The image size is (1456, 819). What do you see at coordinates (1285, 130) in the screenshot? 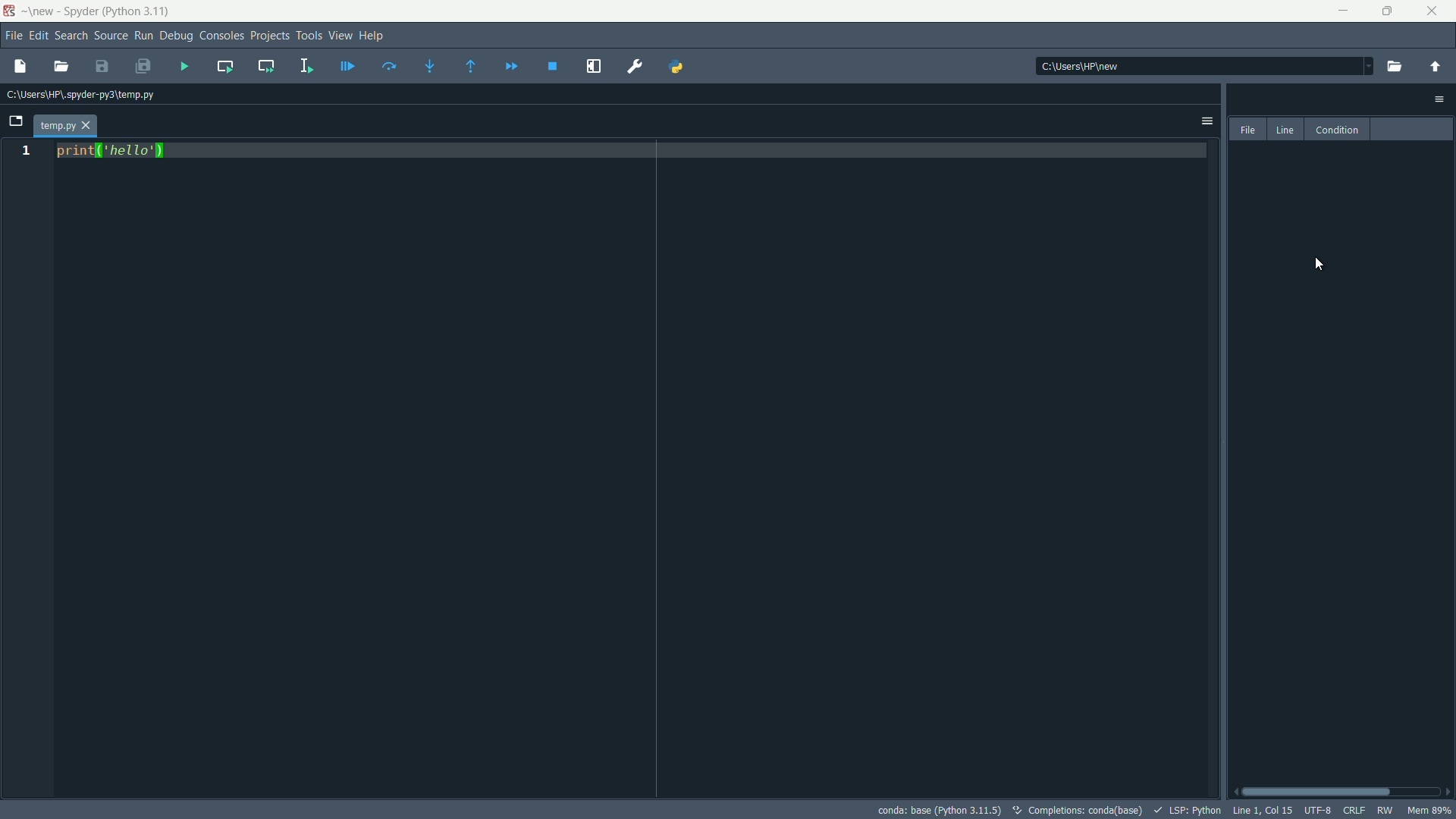
I see `line` at bounding box center [1285, 130].